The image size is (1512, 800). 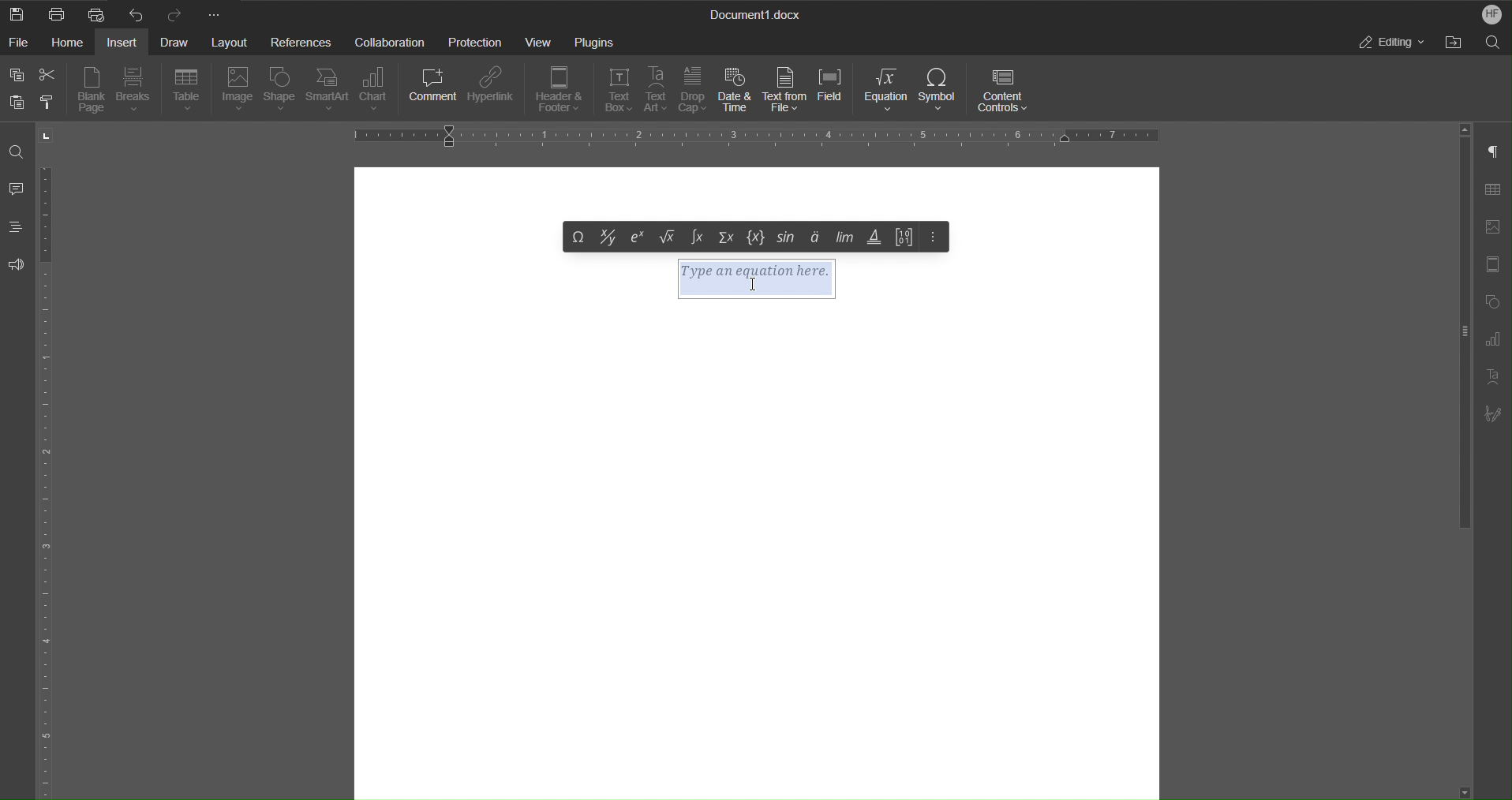 What do you see at coordinates (724, 237) in the screenshot?
I see `Summation` at bounding box center [724, 237].